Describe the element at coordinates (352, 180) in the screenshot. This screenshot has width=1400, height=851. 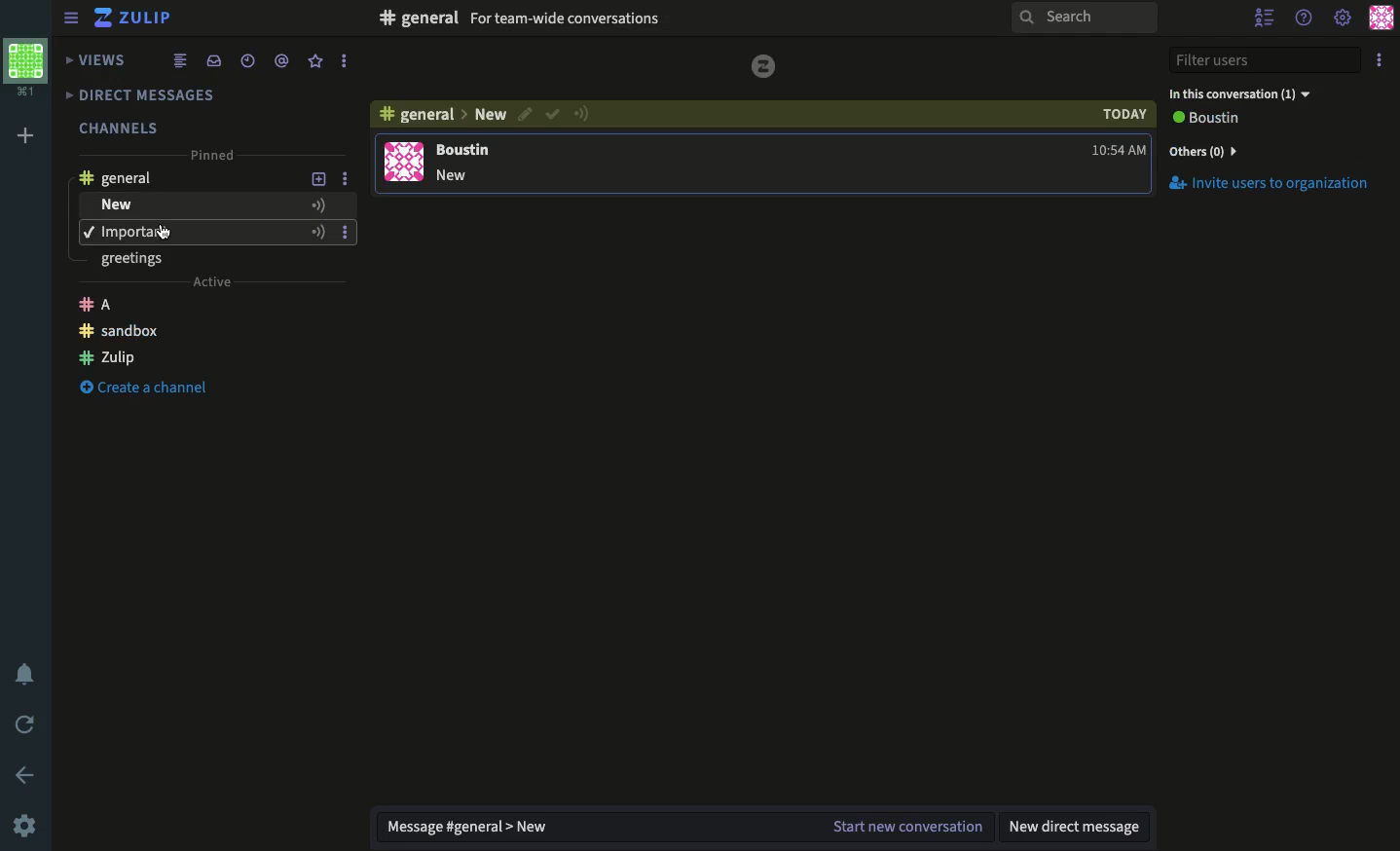
I see `More Options` at that location.